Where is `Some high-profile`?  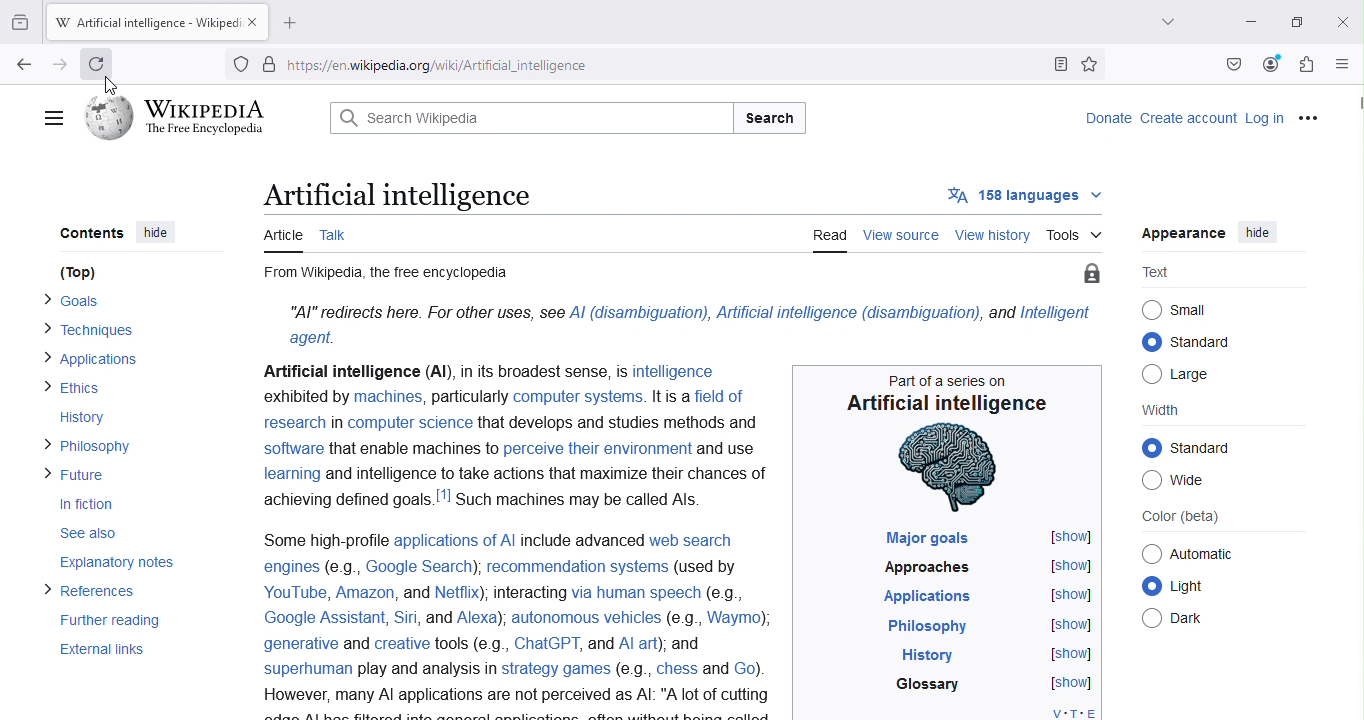
Some high-profile is located at coordinates (317, 542).